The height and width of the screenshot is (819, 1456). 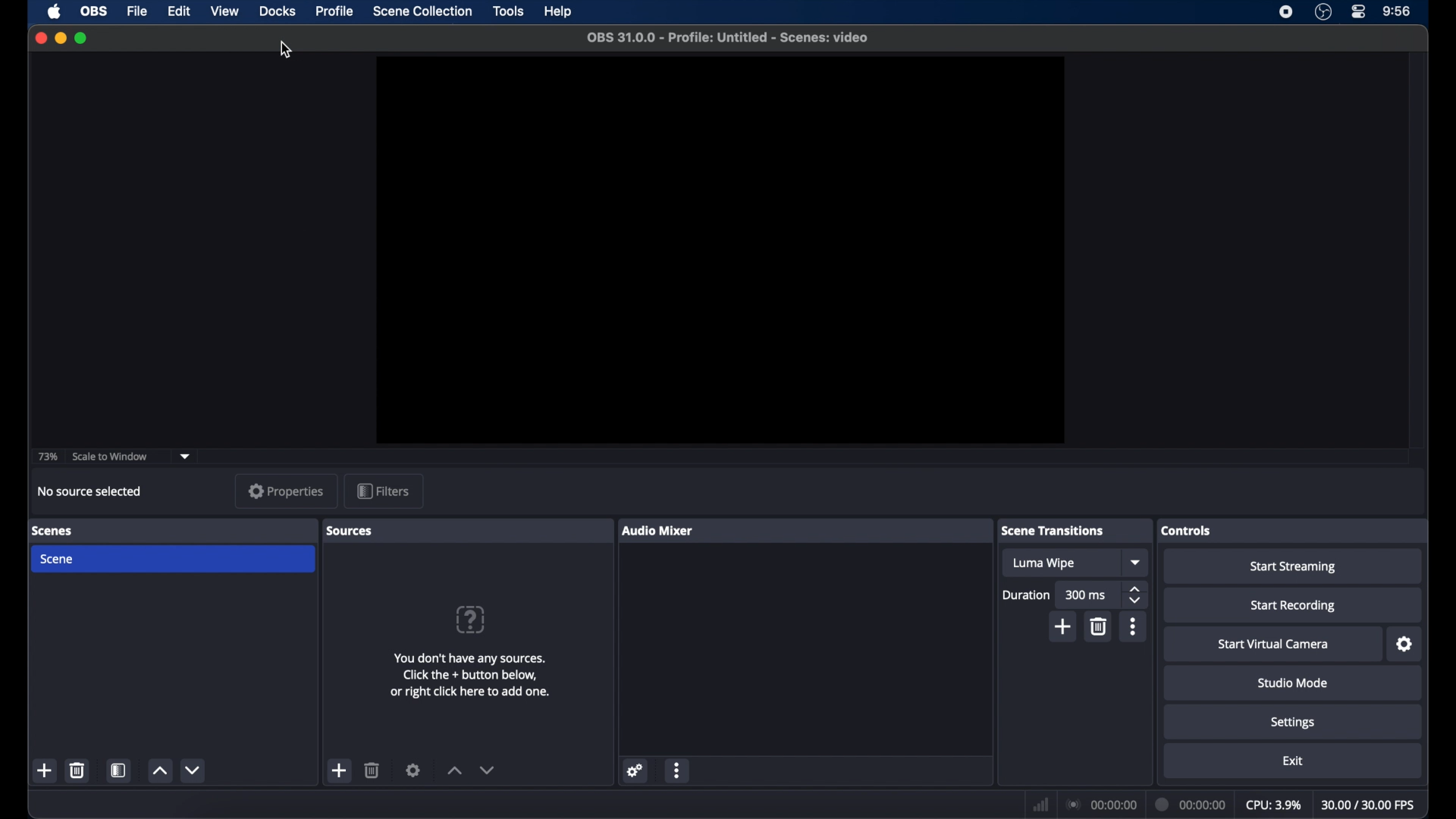 I want to click on view, so click(x=223, y=11).